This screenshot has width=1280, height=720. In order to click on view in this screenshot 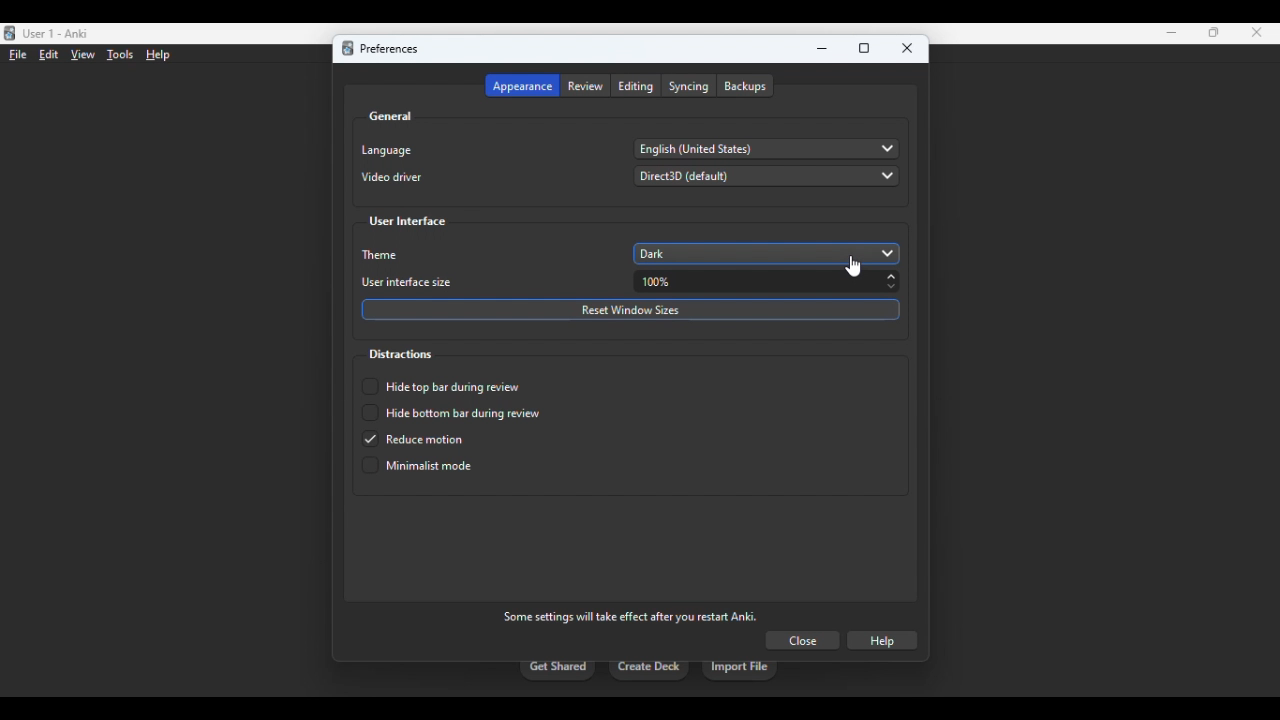, I will do `click(82, 56)`.